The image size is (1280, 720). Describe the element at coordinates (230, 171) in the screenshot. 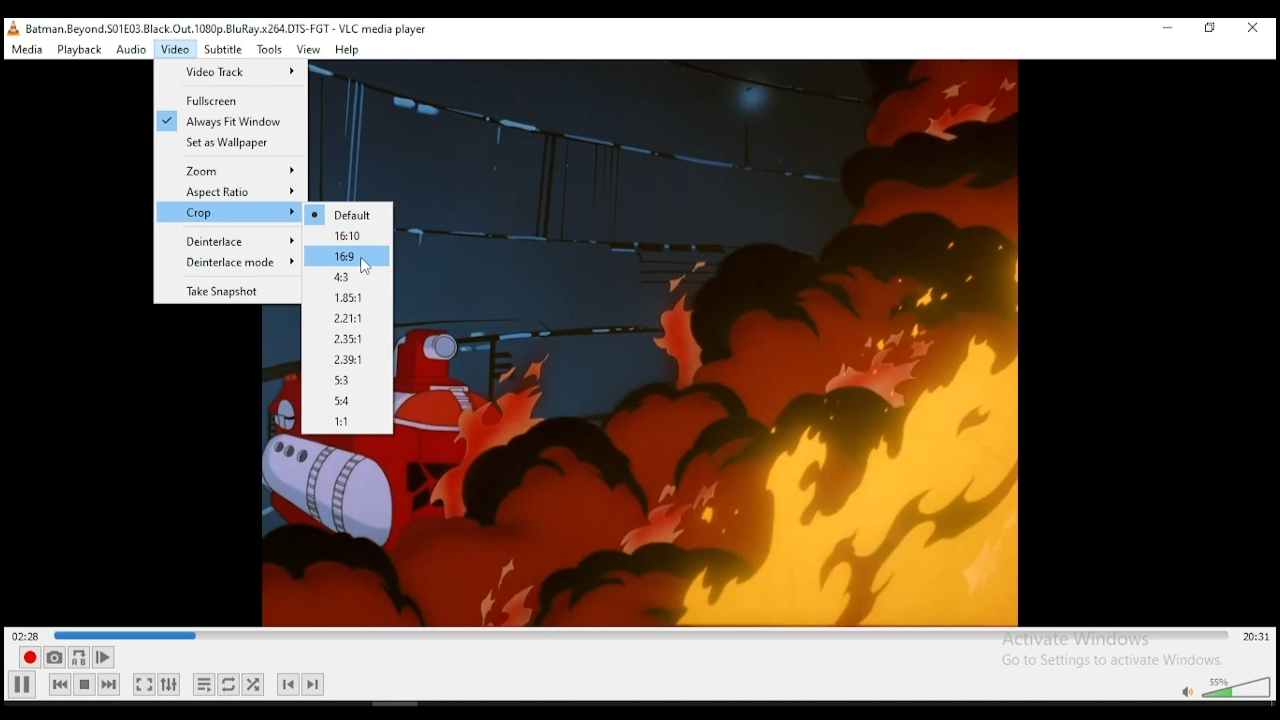

I see `Zoom` at that location.